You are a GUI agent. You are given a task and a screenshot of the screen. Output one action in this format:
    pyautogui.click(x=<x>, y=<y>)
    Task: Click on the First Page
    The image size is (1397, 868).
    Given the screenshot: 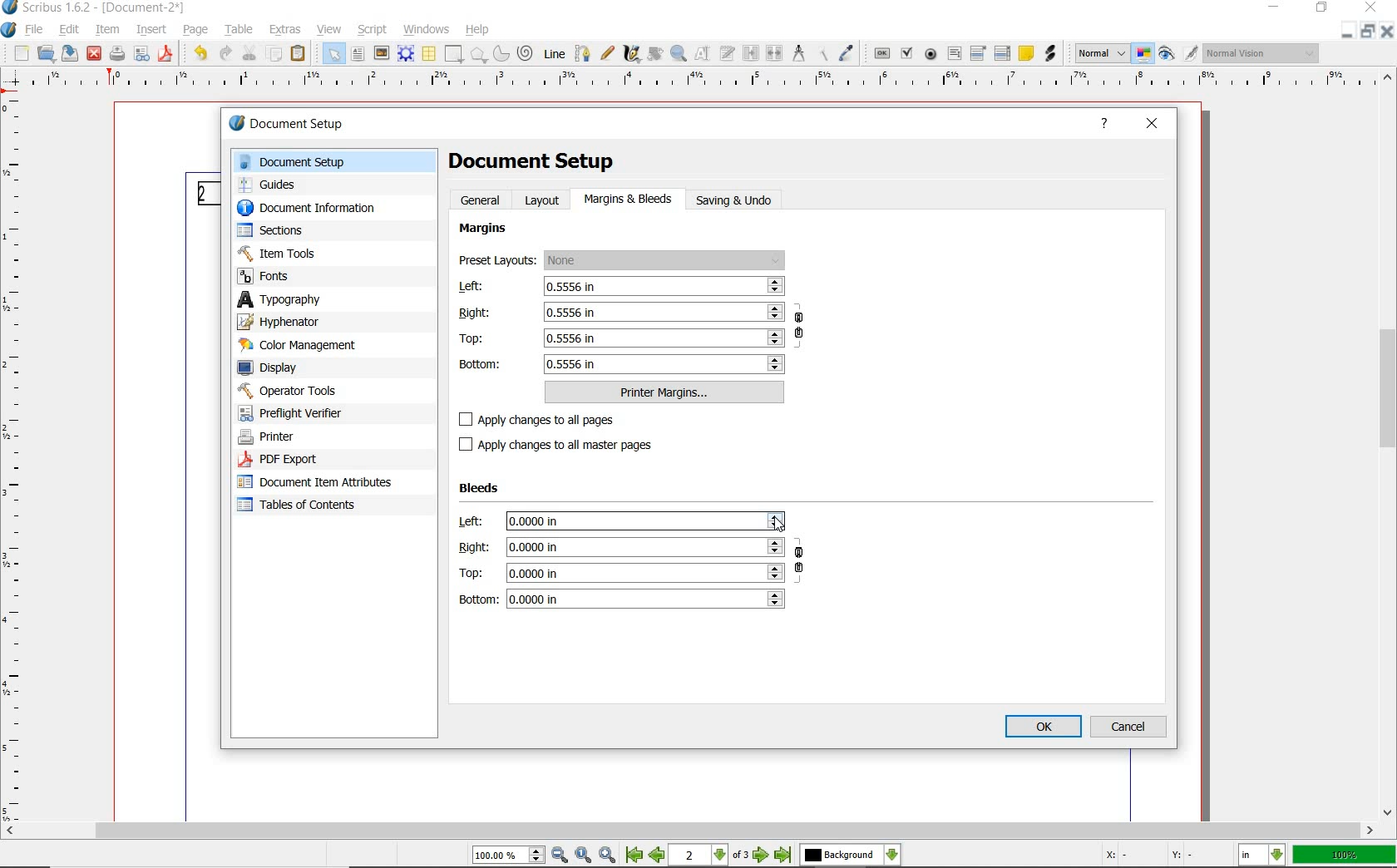 What is the action you would take?
    pyautogui.click(x=634, y=856)
    